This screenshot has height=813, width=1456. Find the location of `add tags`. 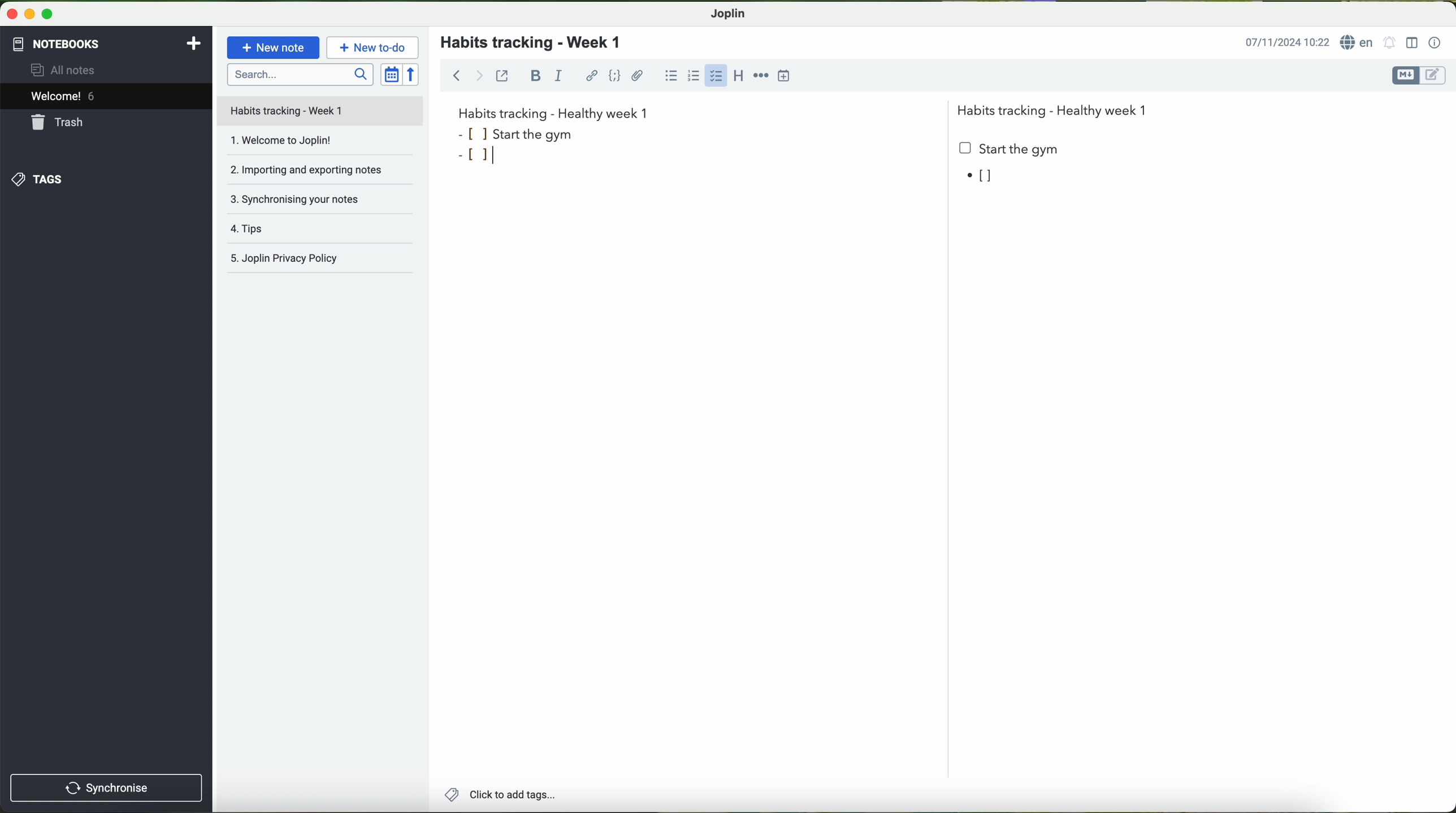

add tags is located at coordinates (497, 795).